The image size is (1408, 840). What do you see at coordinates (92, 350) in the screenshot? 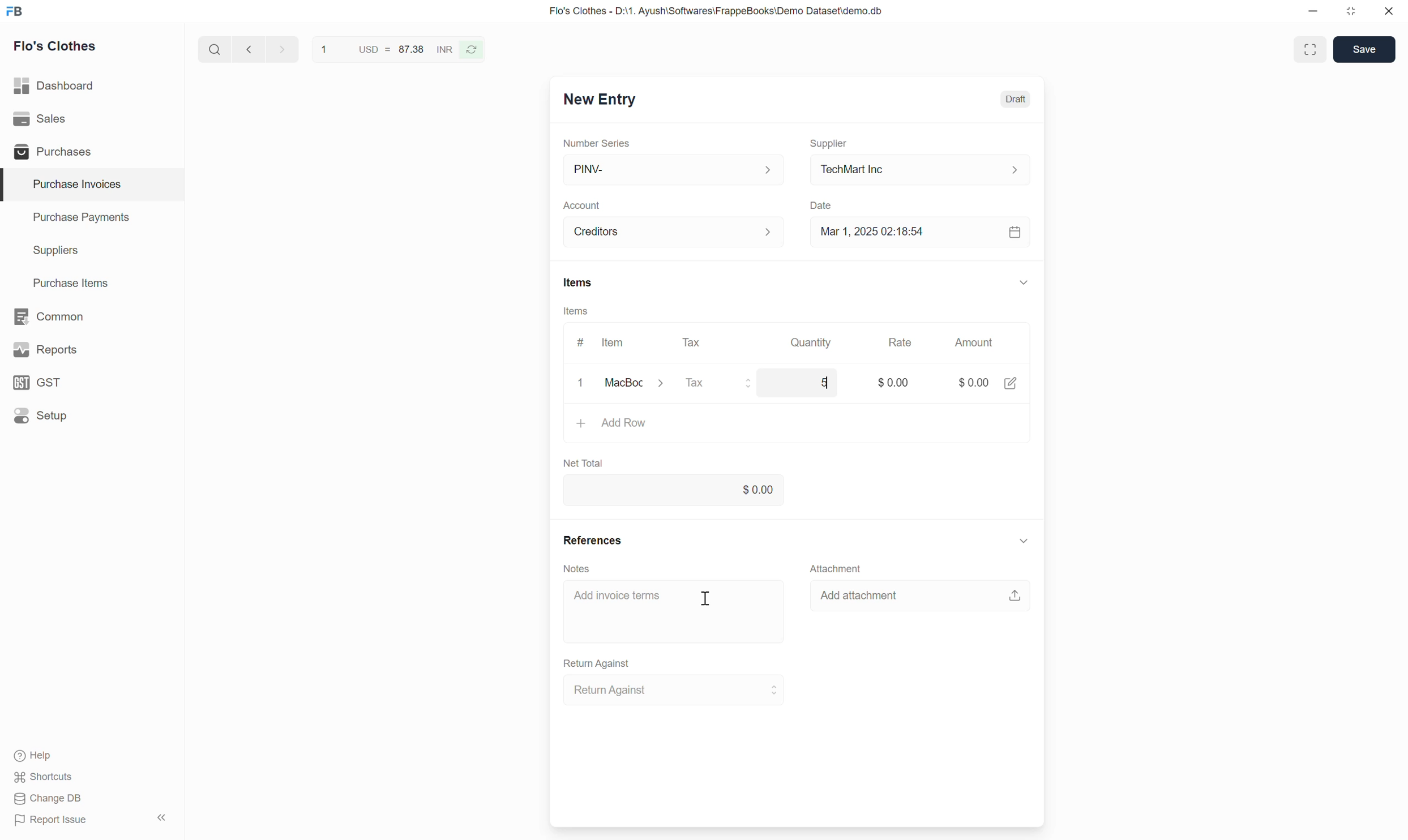
I see `Reports` at bounding box center [92, 350].